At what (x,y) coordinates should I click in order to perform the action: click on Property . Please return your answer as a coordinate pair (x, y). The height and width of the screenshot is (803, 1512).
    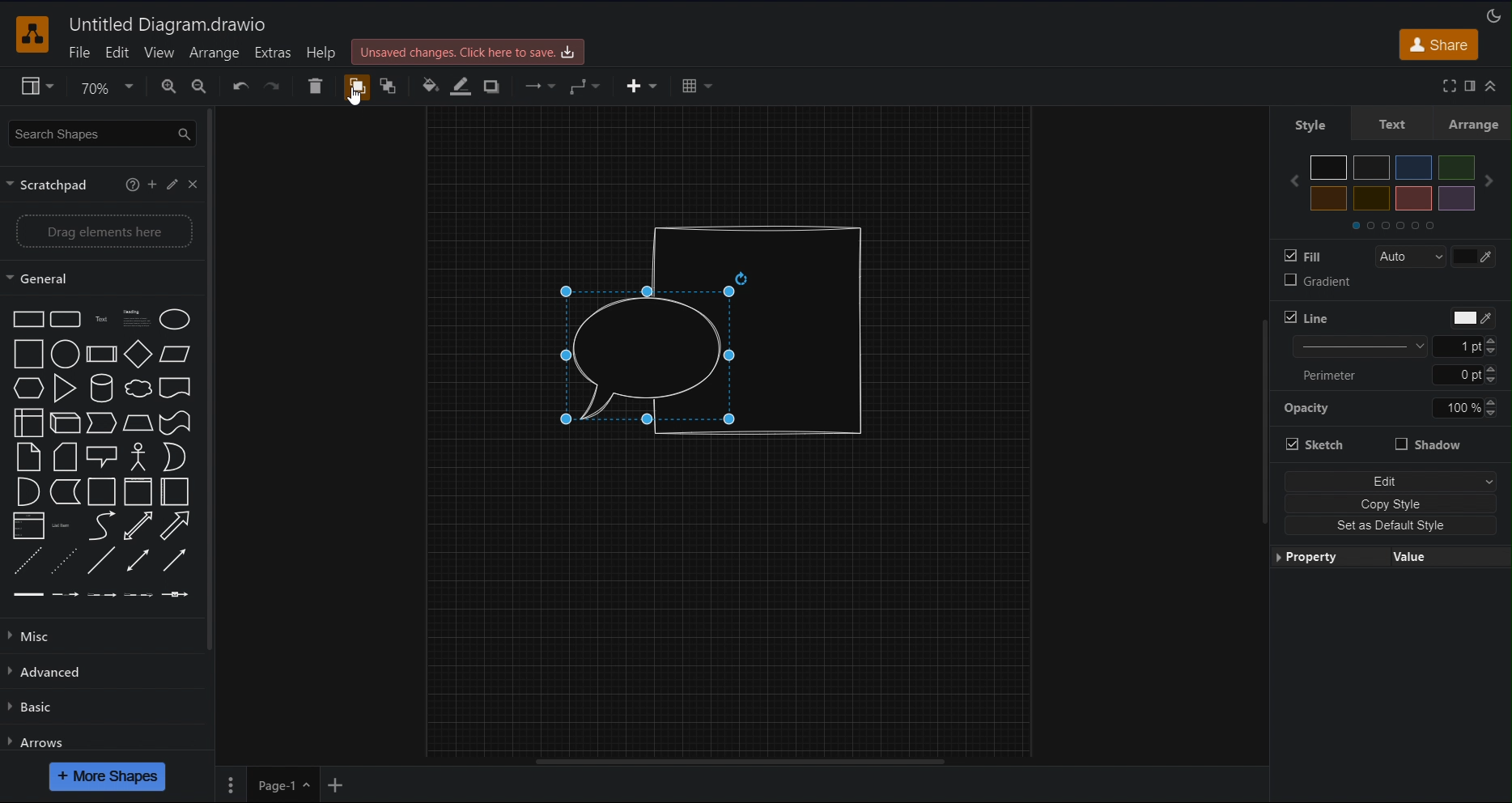
    Looking at the image, I should click on (1331, 557).